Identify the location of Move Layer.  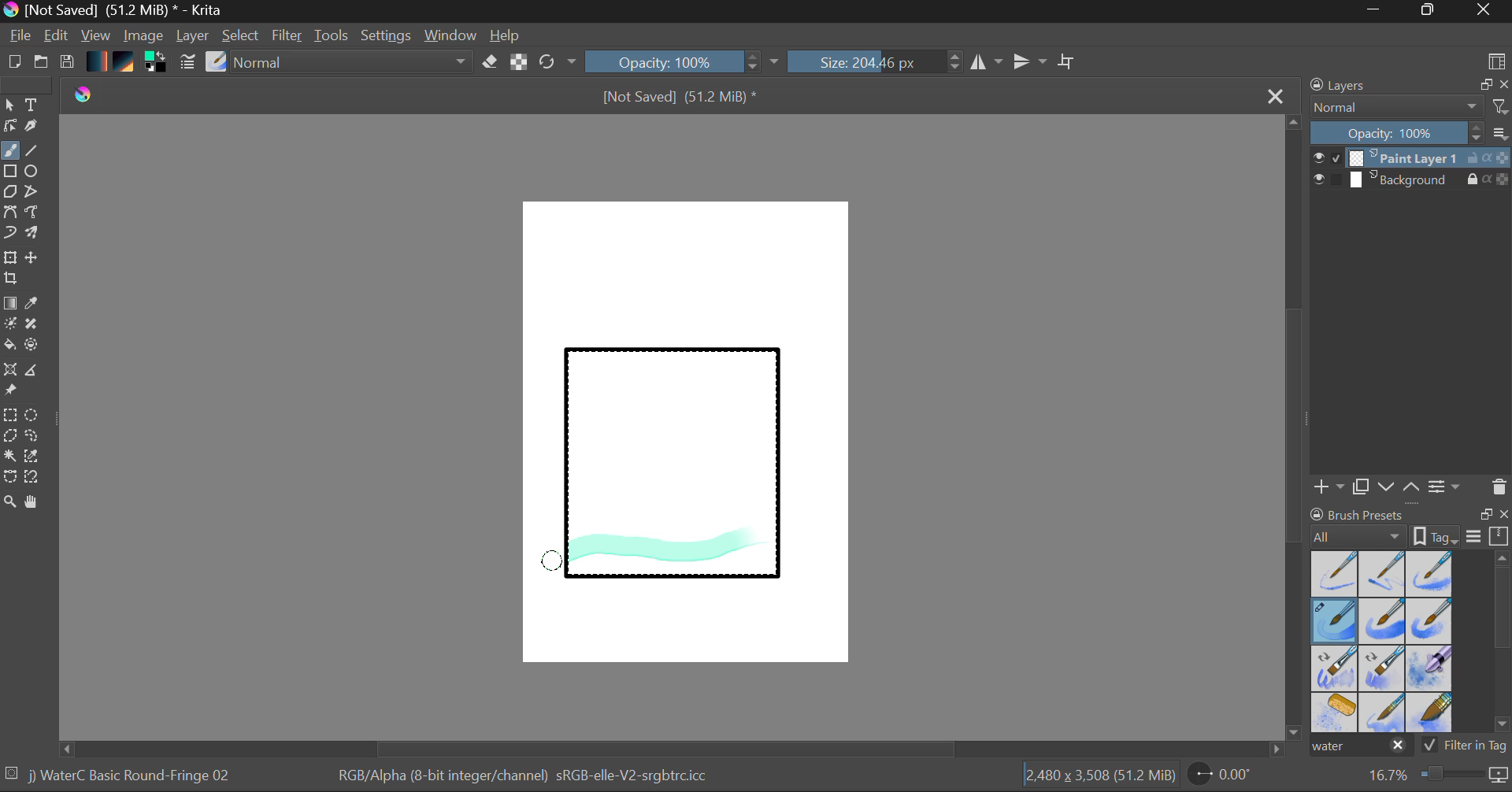
(33, 257).